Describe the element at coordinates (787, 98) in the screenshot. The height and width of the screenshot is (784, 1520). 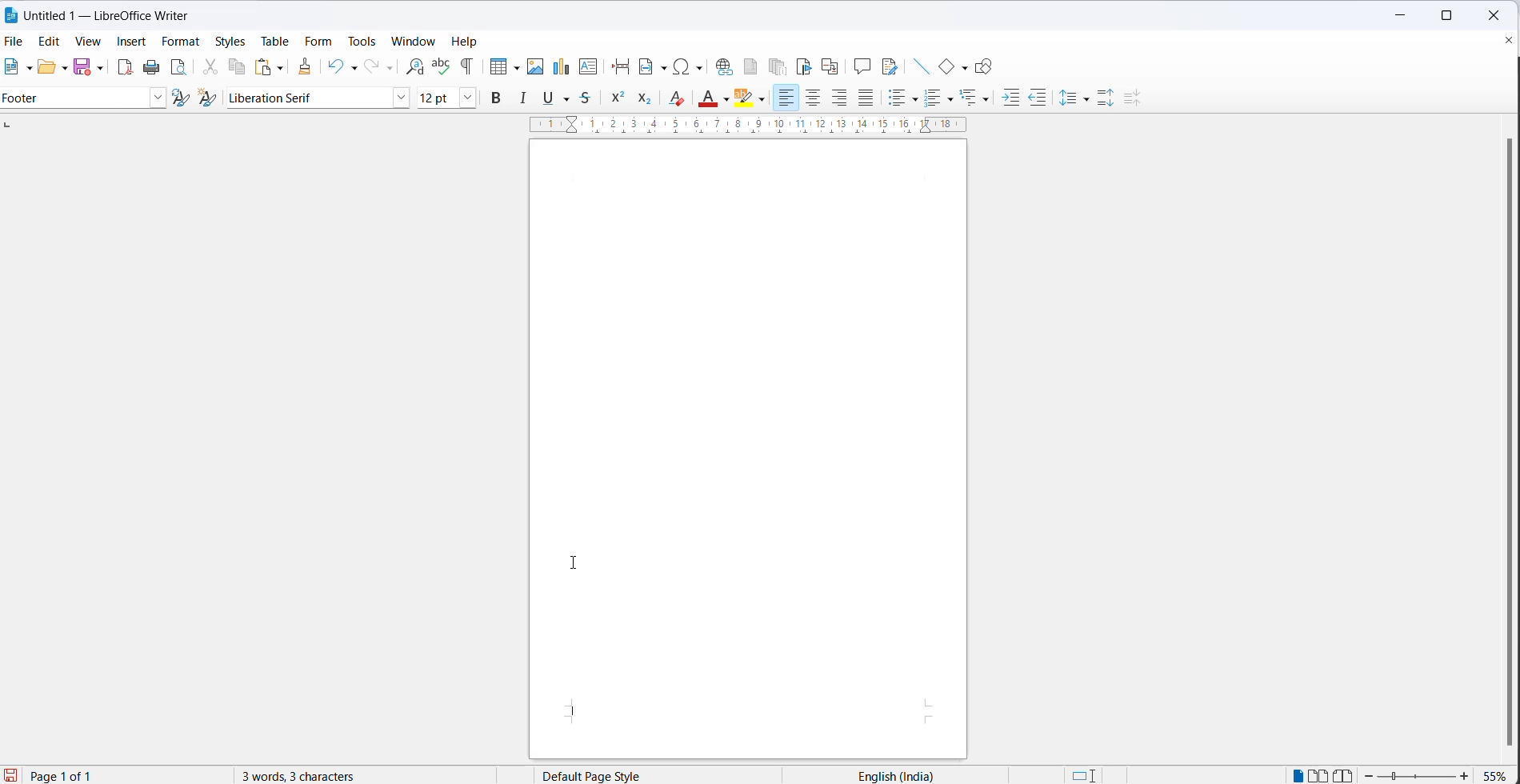
I see `text align left` at that location.